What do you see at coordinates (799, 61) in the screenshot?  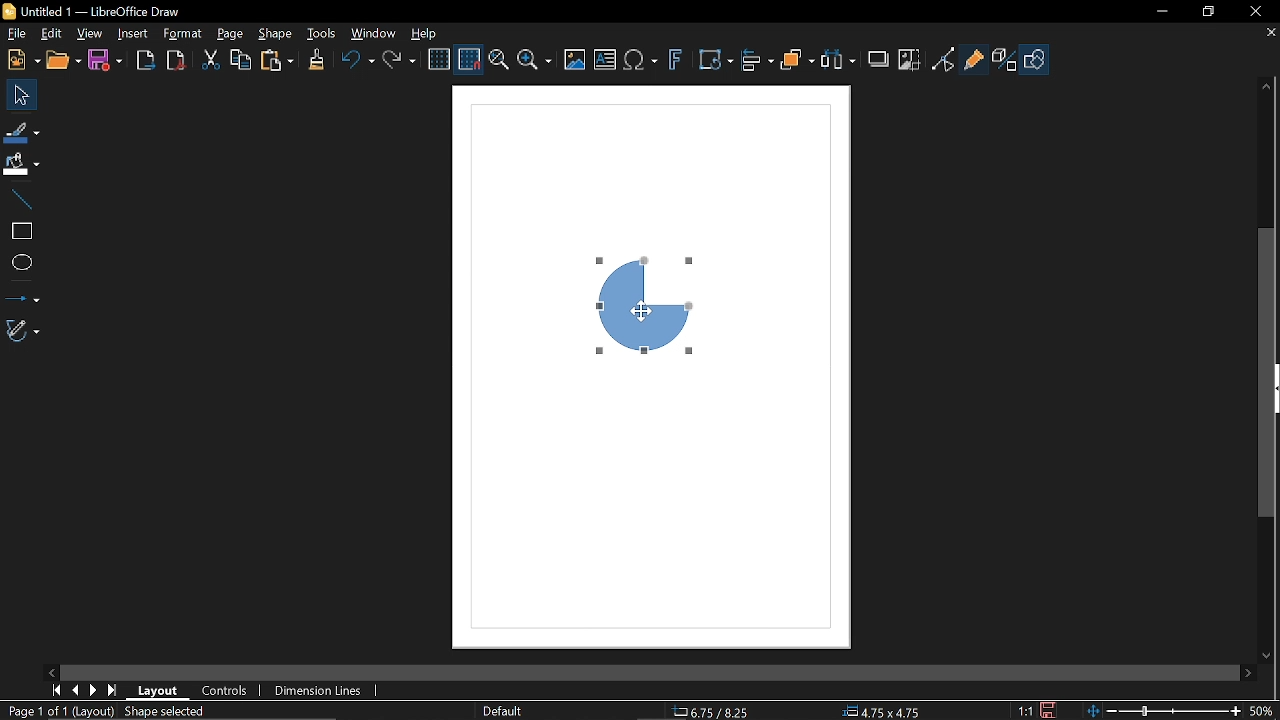 I see `Arrange` at bounding box center [799, 61].